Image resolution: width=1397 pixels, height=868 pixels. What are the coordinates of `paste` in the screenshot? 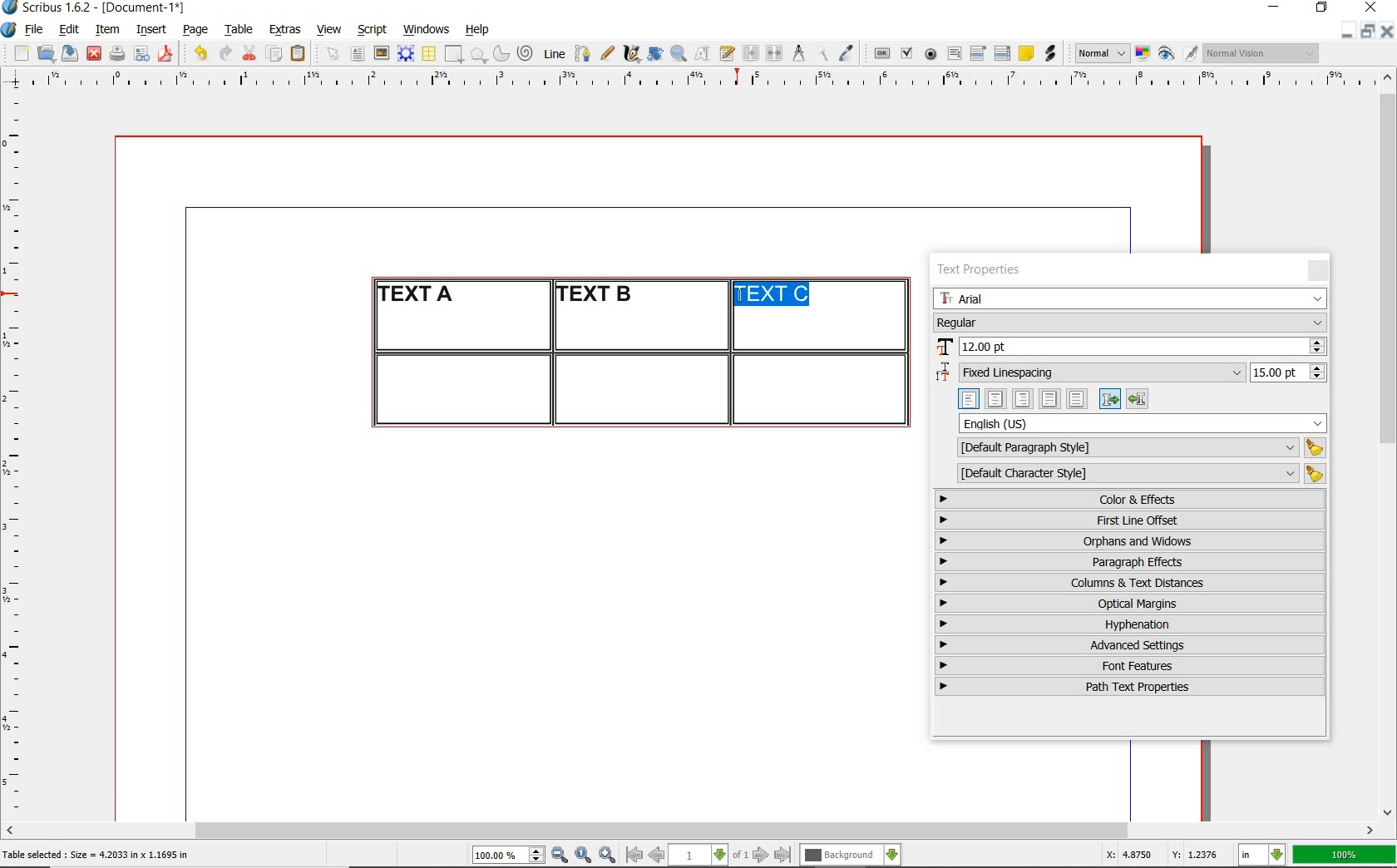 It's located at (301, 54).